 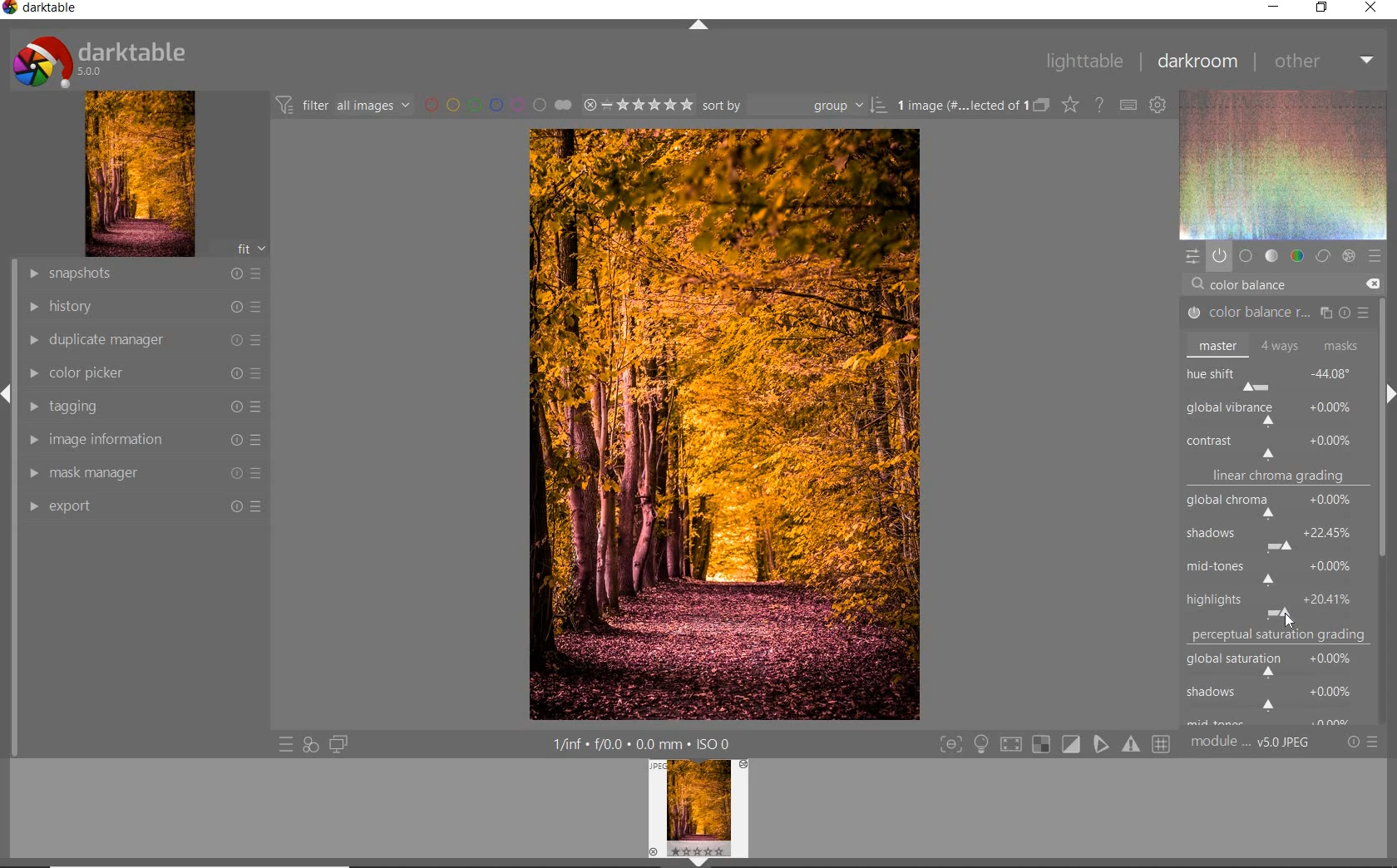 What do you see at coordinates (1277, 377) in the screenshot?
I see `hue shift` at bounding box center [1277, 377].